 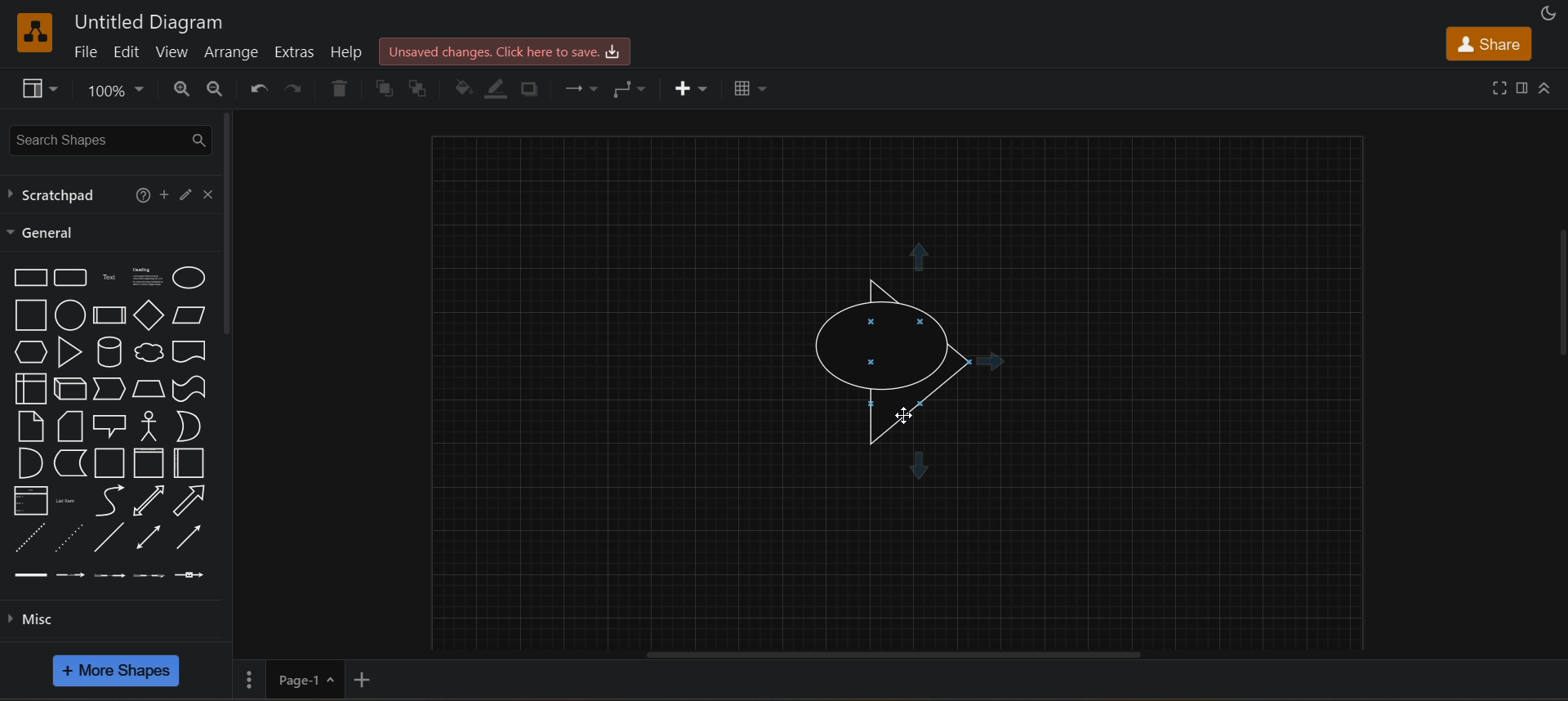 What do you see at coordinates (149, 426) in the screenshot?
I see `actor` at bounding box center [149, 426].